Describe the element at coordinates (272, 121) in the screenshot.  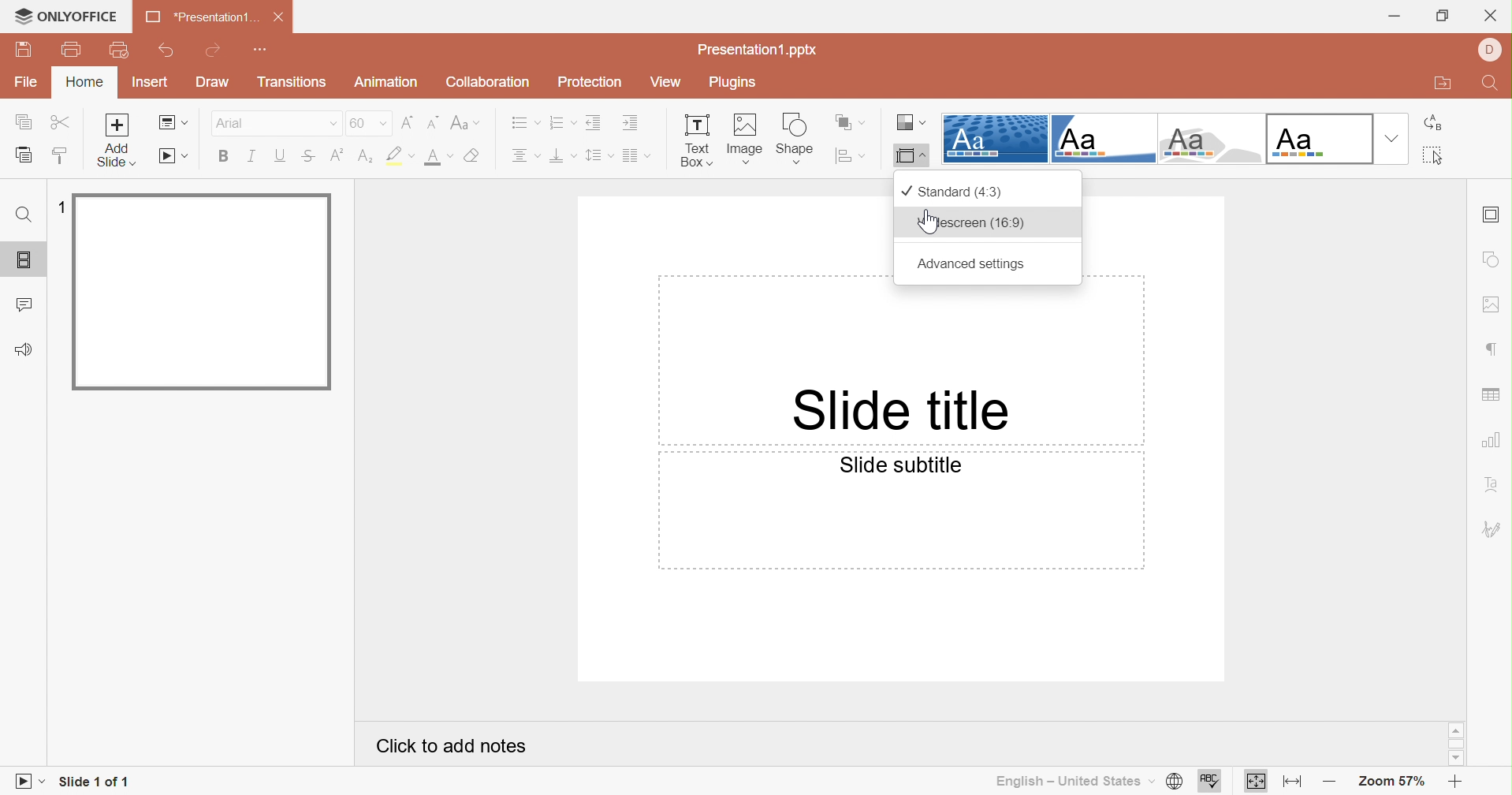
I see `Font` at that location.